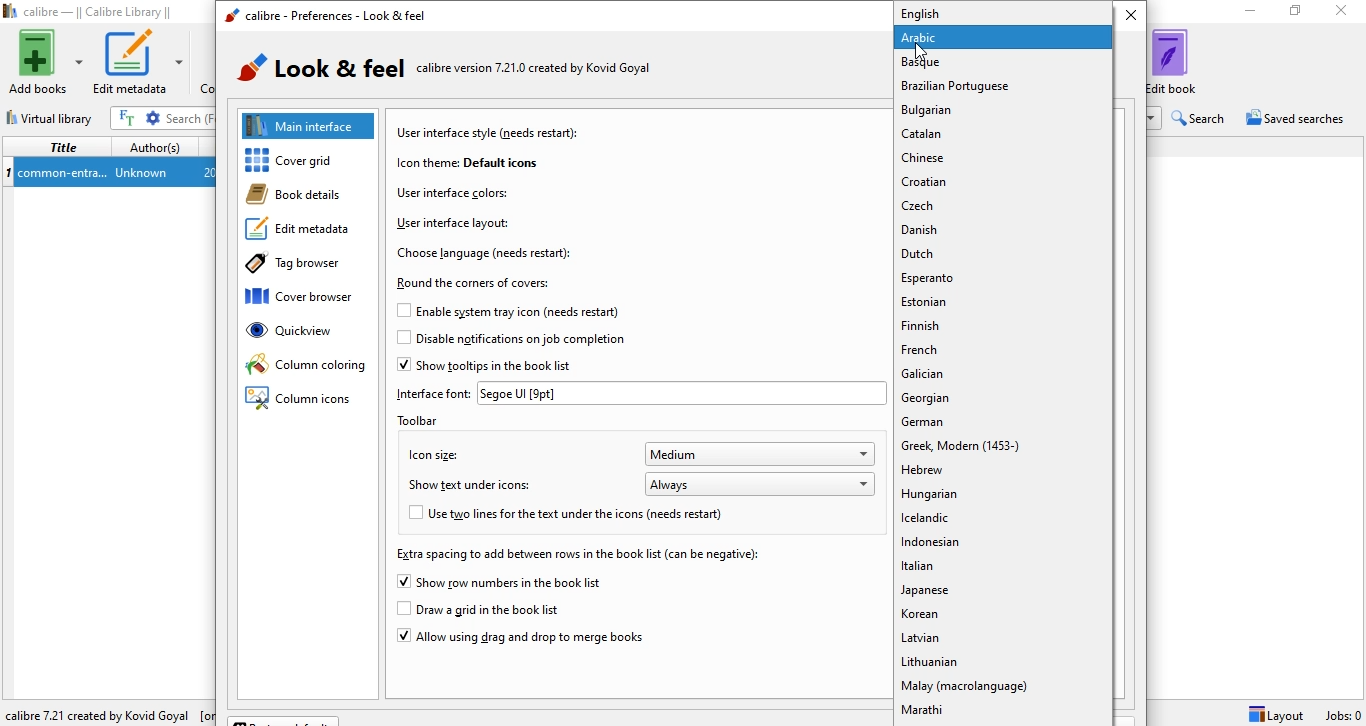  I want to click on main interface, so click(310, 125).